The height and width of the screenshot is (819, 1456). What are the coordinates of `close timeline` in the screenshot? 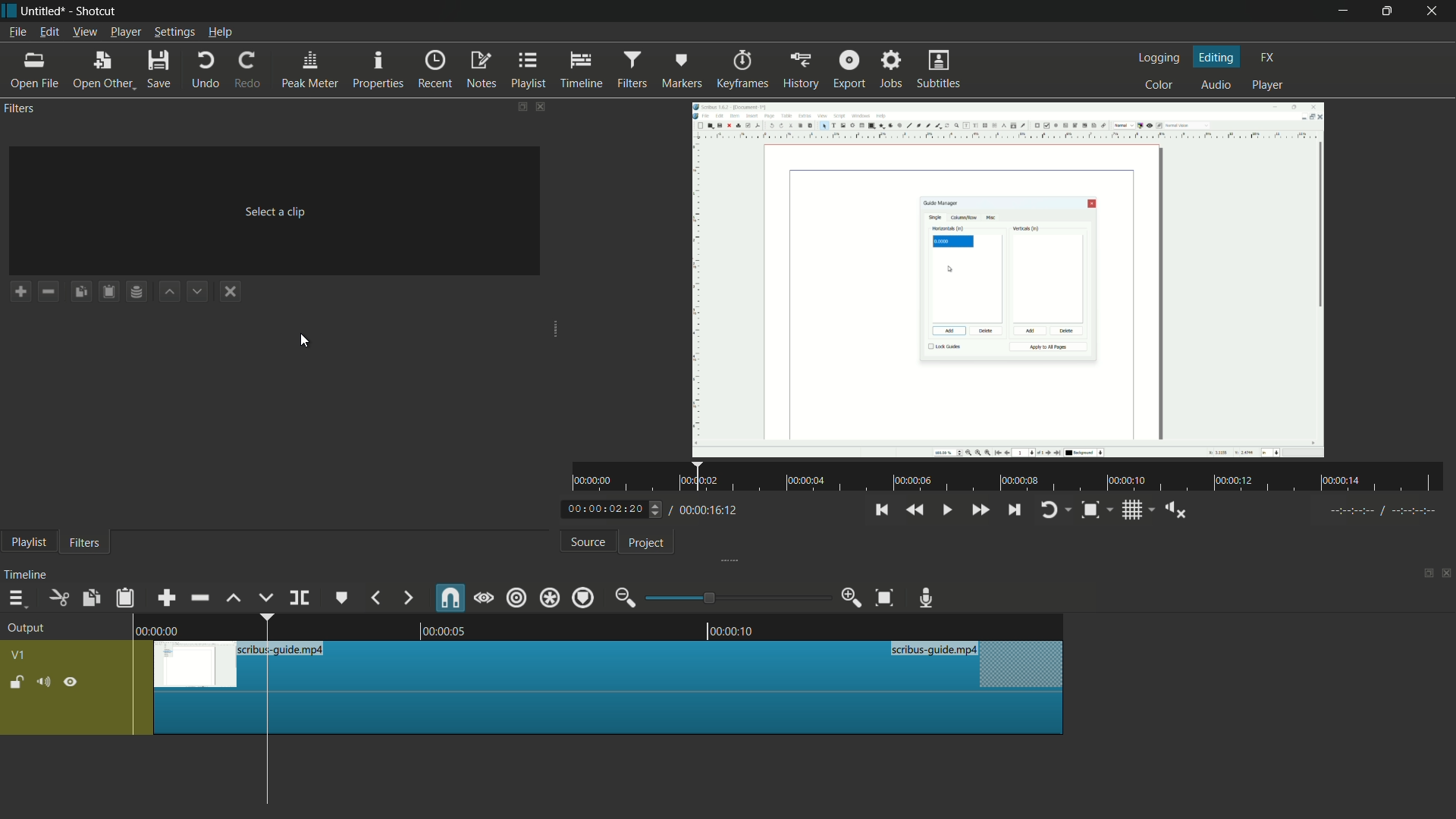 It's located at (1447, 575).